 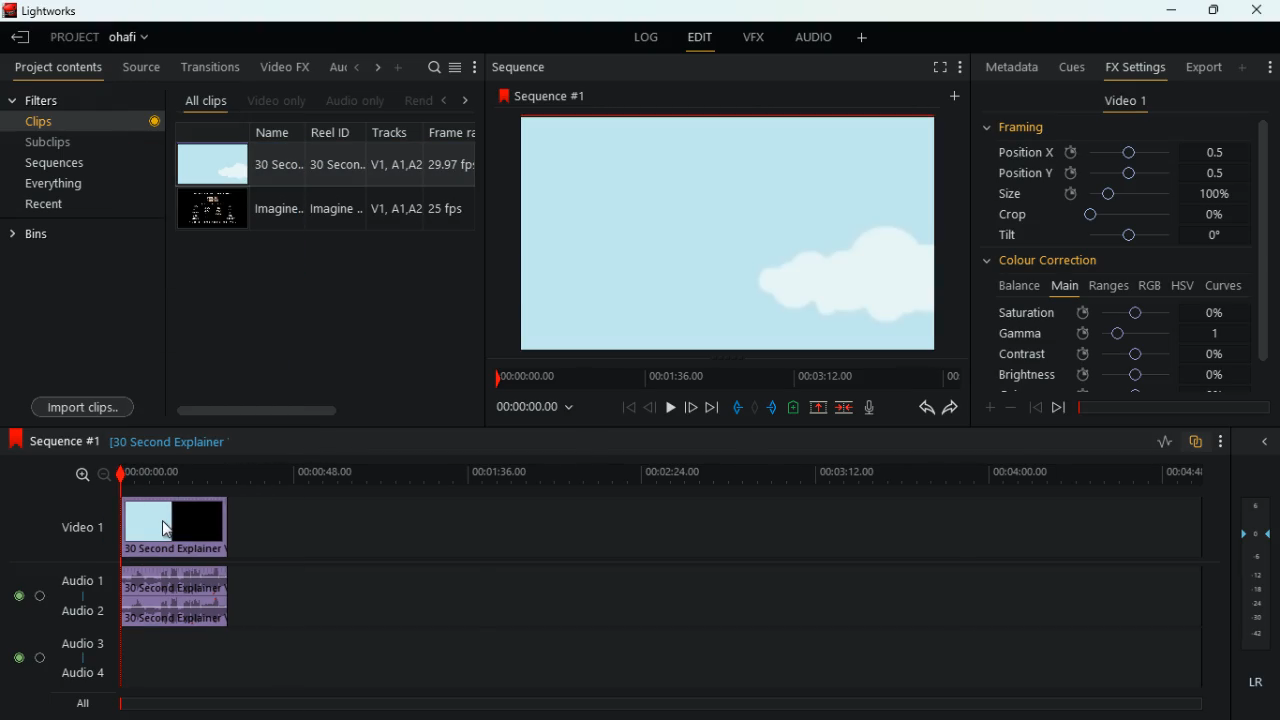 What do you see at coordinates (81, 610) in the screenshot?
I see `audio 2` at bounding box center [81, 610].